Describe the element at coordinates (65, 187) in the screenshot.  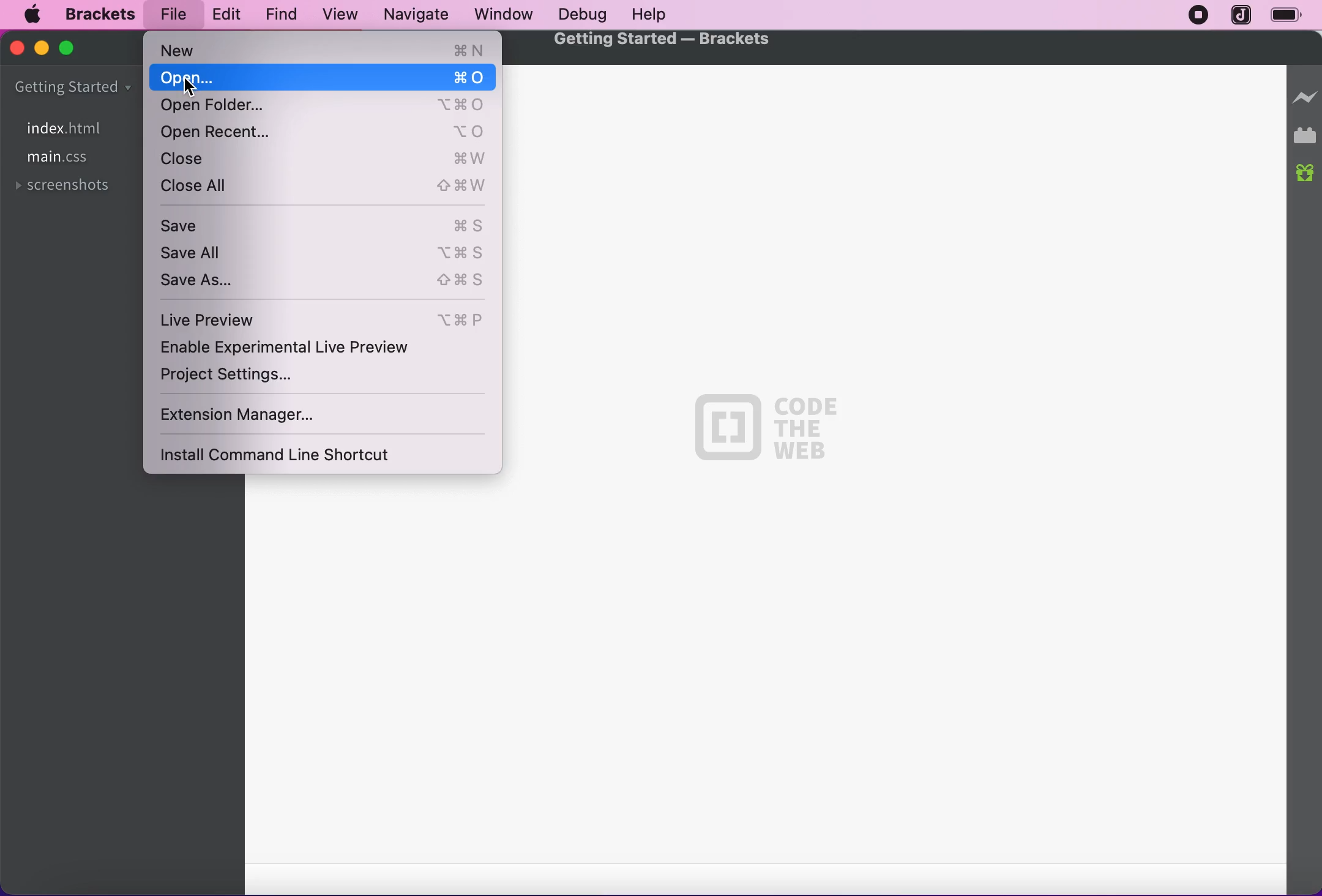
I see `screenshots` at that location.